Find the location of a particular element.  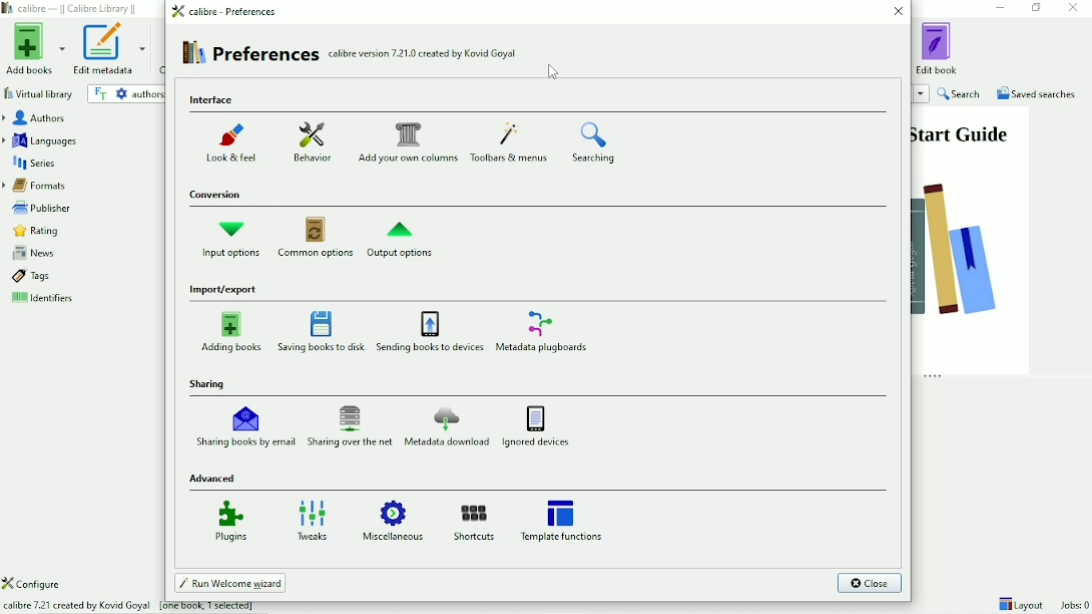

Configure is located at coordinates (33, 583).